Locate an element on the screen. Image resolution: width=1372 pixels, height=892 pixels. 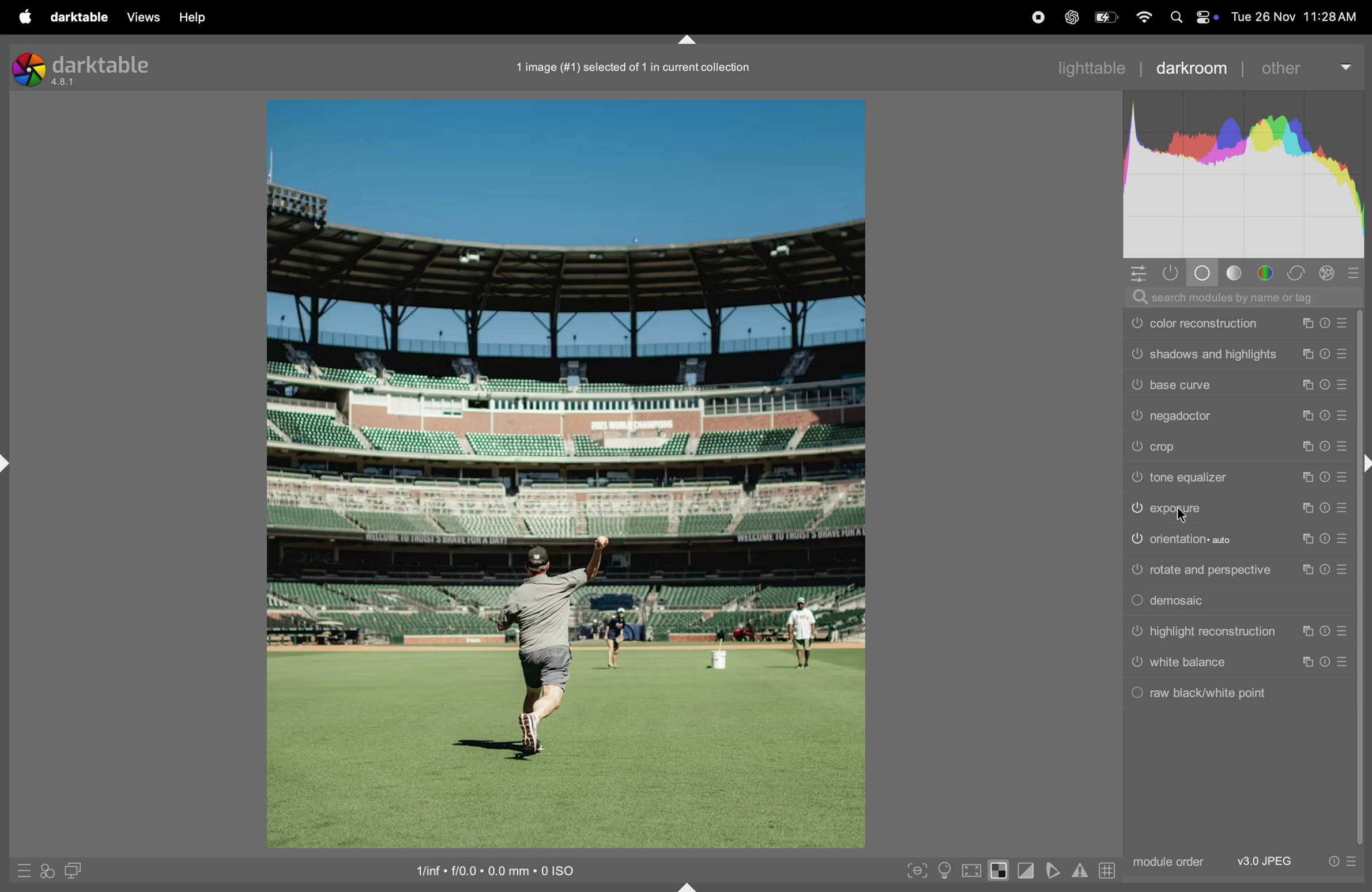
copy is located at coordinates (1308, 322).